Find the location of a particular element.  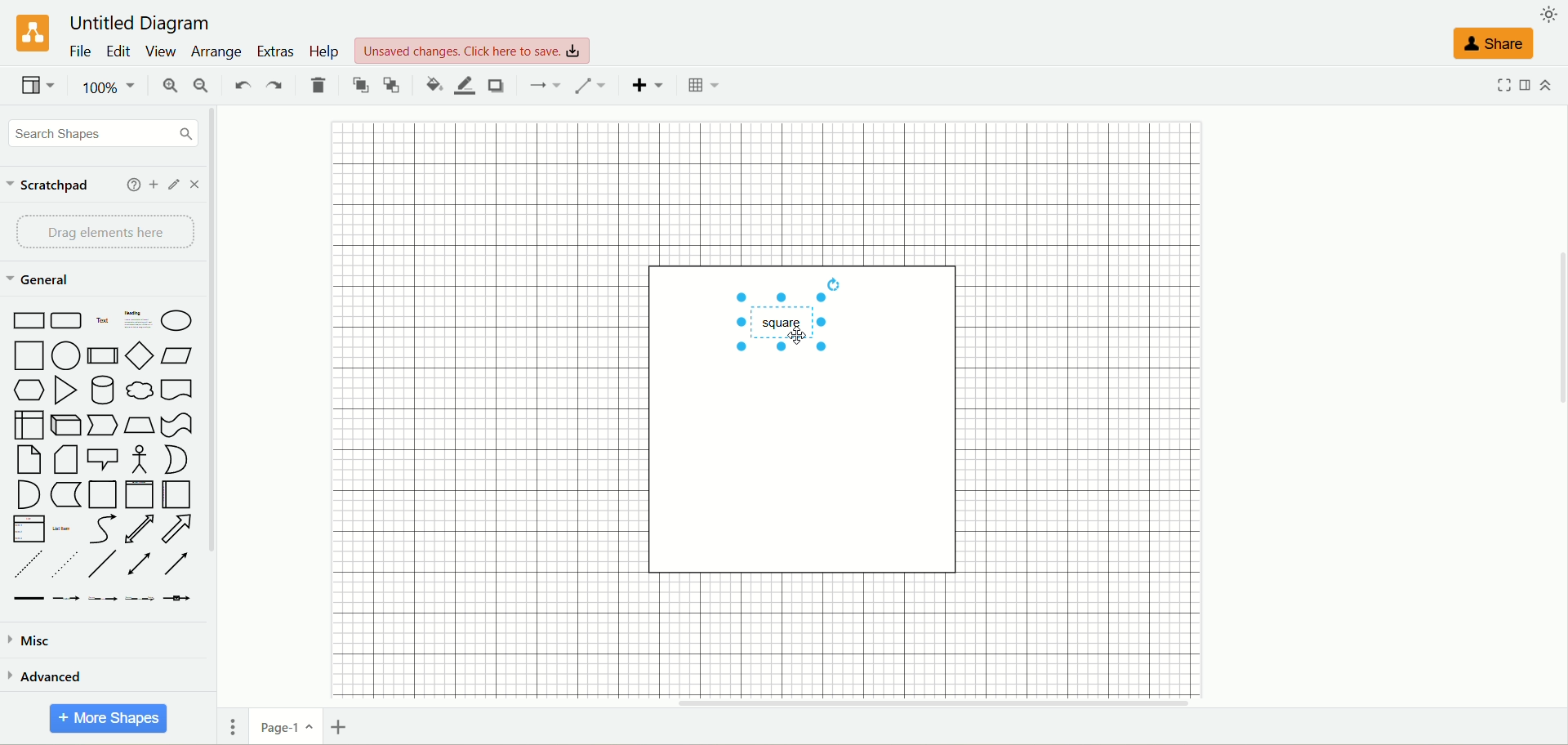

close is located at coordinates (198, 185).